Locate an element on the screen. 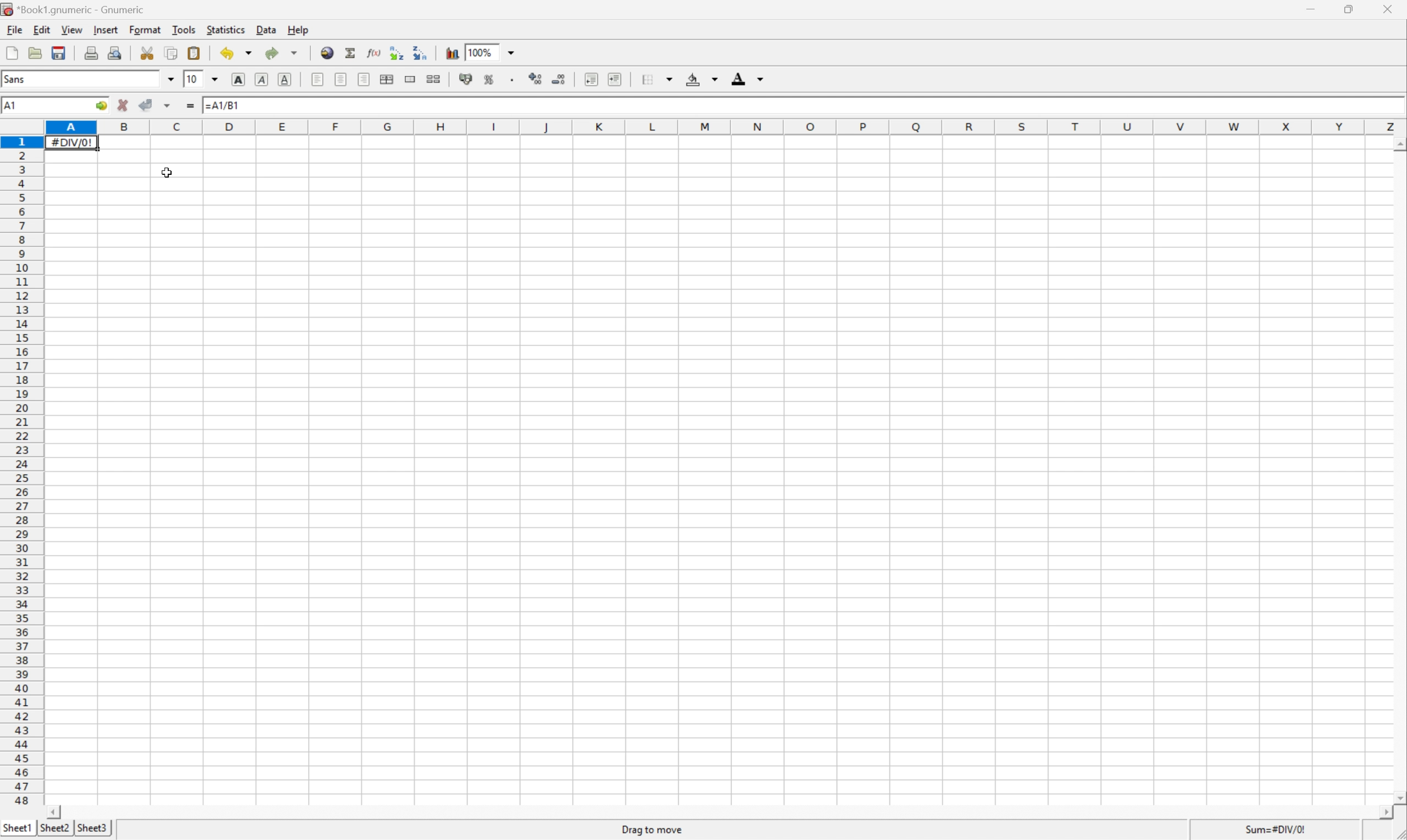 This screenshot has height=840, width=1407. Set the format of the selected cells to include a thousands separator is located at coordinates (513, 80).